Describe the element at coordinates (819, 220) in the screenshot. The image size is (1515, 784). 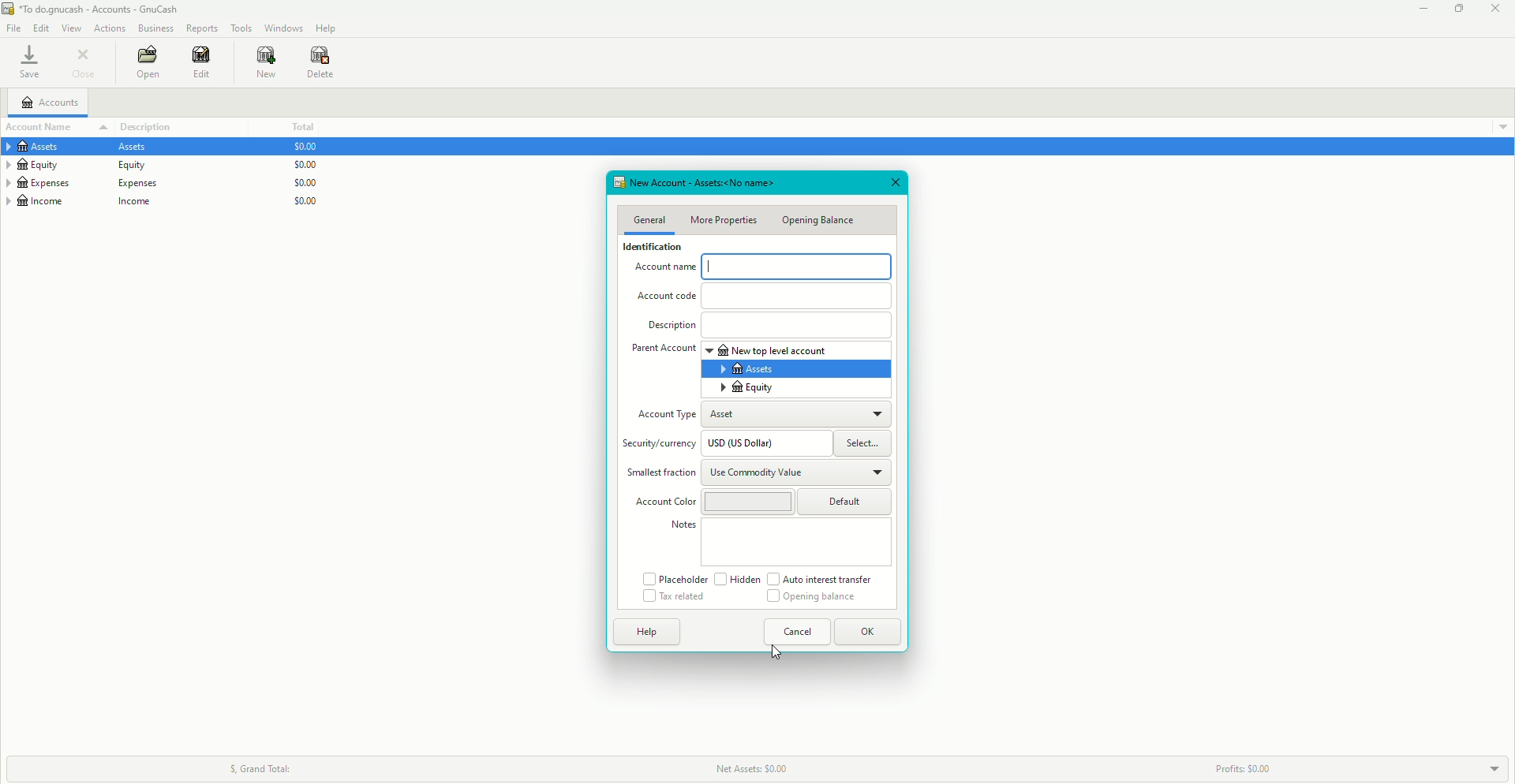
I see `Opening Balance` at that location.